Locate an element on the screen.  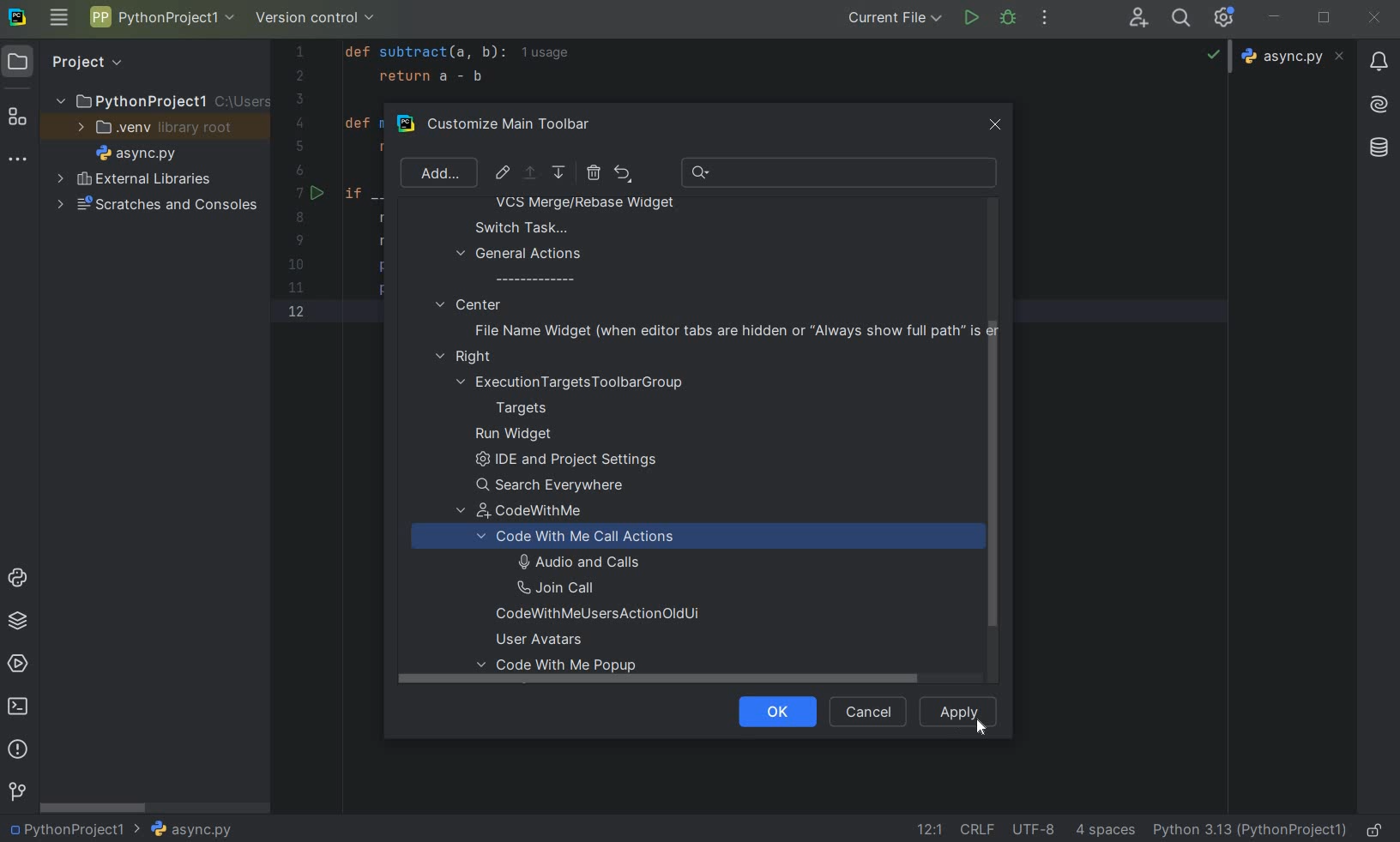
MOVE DOWN is located at coordinates (560, 173).